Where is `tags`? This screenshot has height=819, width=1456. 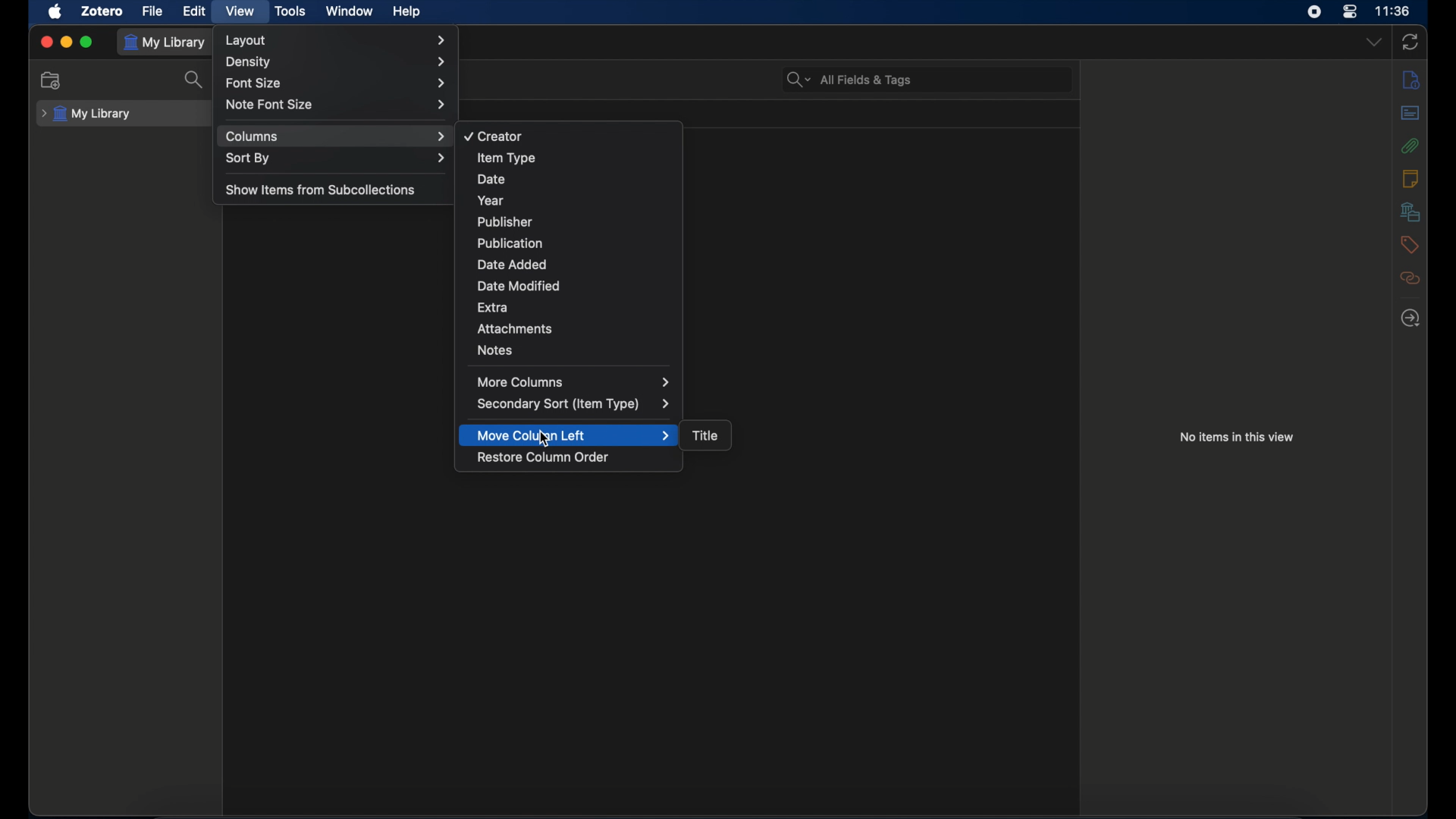
tags is located at coordinates (1409, 245).